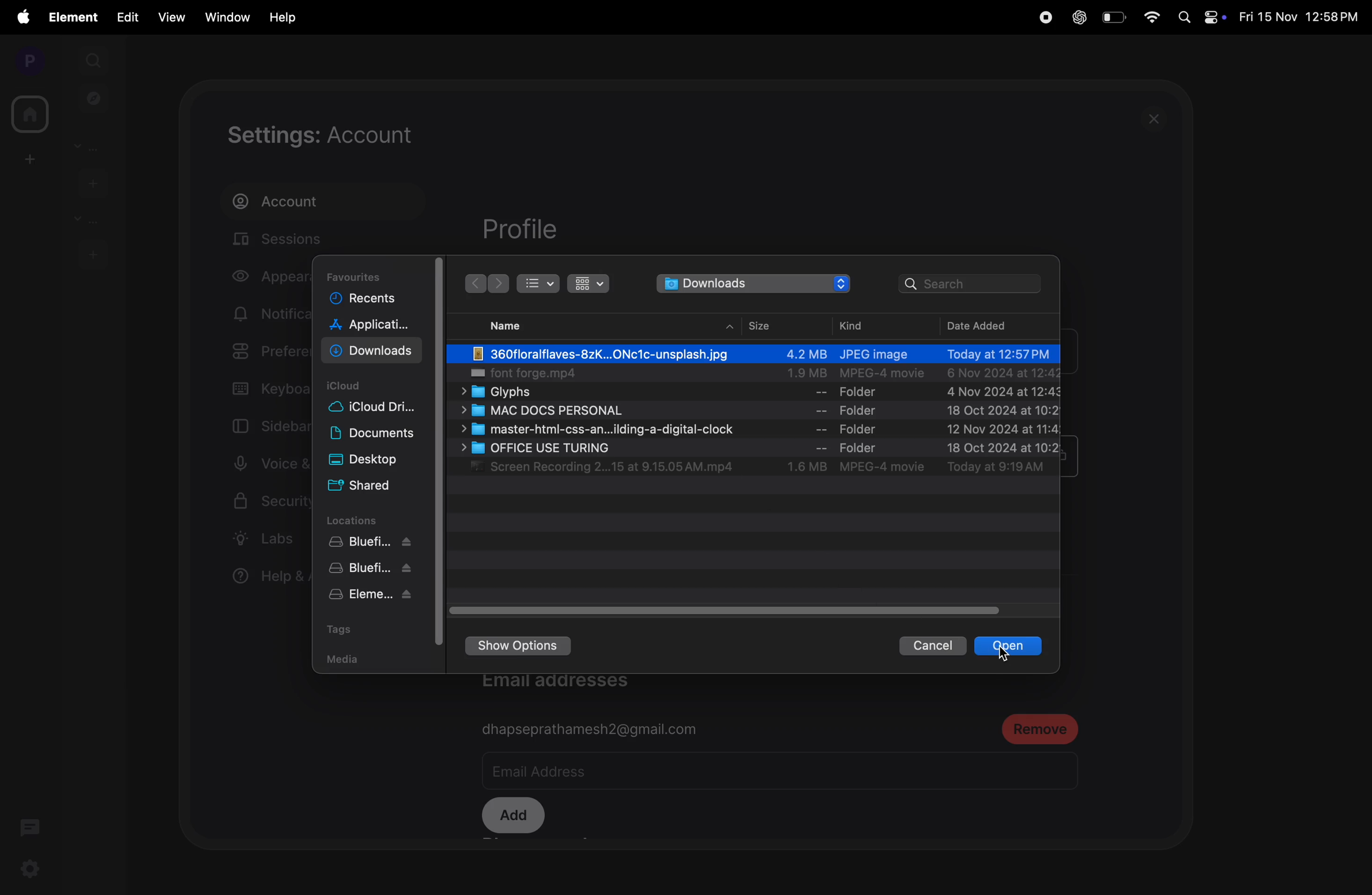 This screenshot has height=895, width=1372. Describe the element at coordinates (367, 273) in the screenshot. I see `favourites` at that location.